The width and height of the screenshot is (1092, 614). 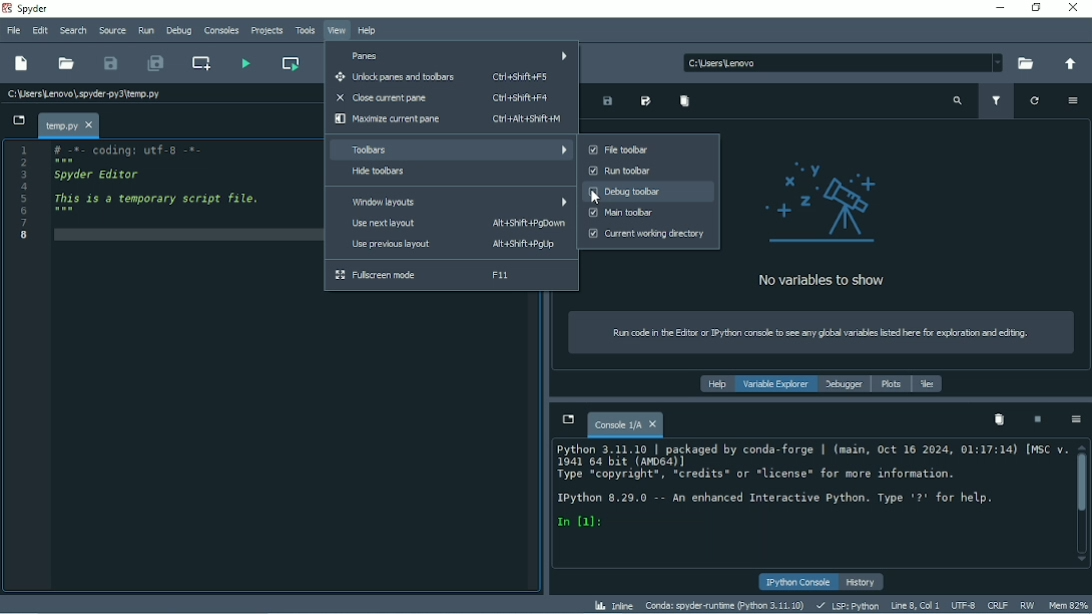 What do you see at coordinates (647, 102) in the screenshot?
I see `Save data as` at bounding box center [647, 102].